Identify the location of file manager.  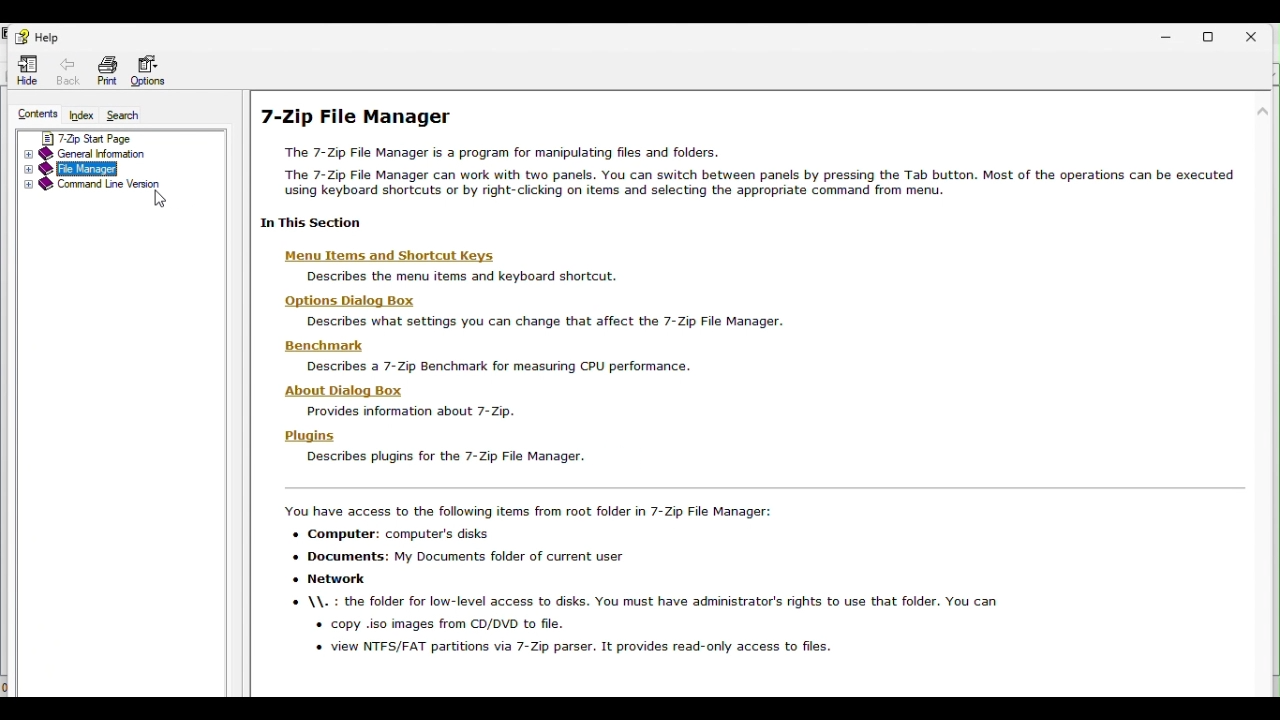
(75, 168).